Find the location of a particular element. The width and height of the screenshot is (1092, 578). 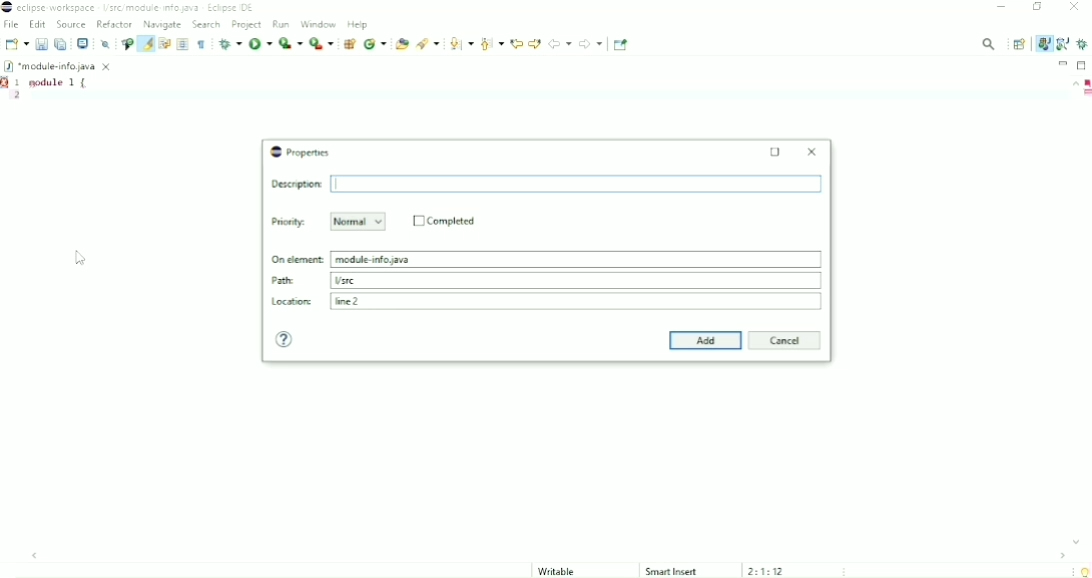

New is located at coordinates (16, 44).